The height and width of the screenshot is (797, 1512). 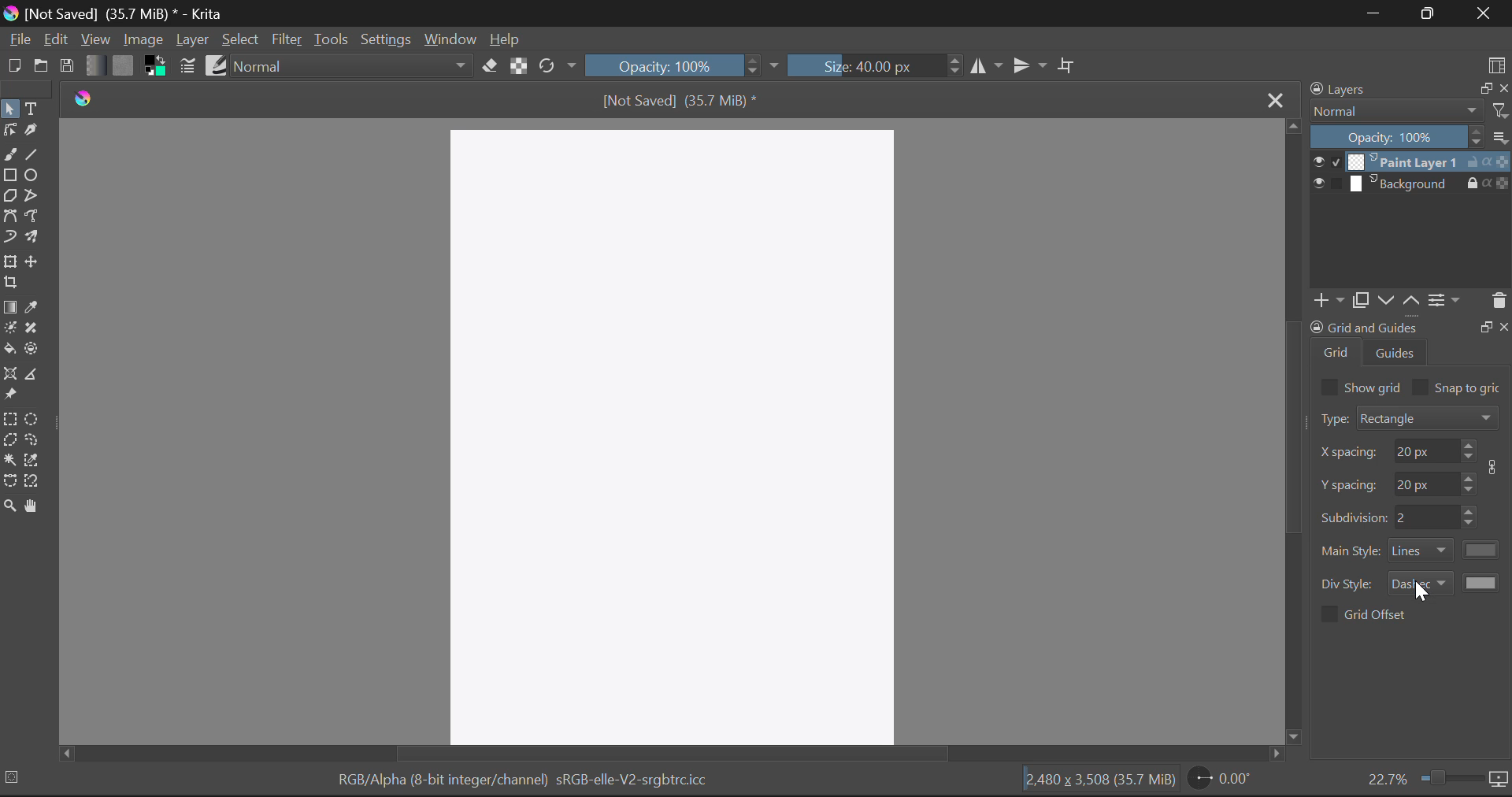 What do you see at coordinates (1488, 182) in the screenshot?
I see `actions` at bounding box center [1488, 182].